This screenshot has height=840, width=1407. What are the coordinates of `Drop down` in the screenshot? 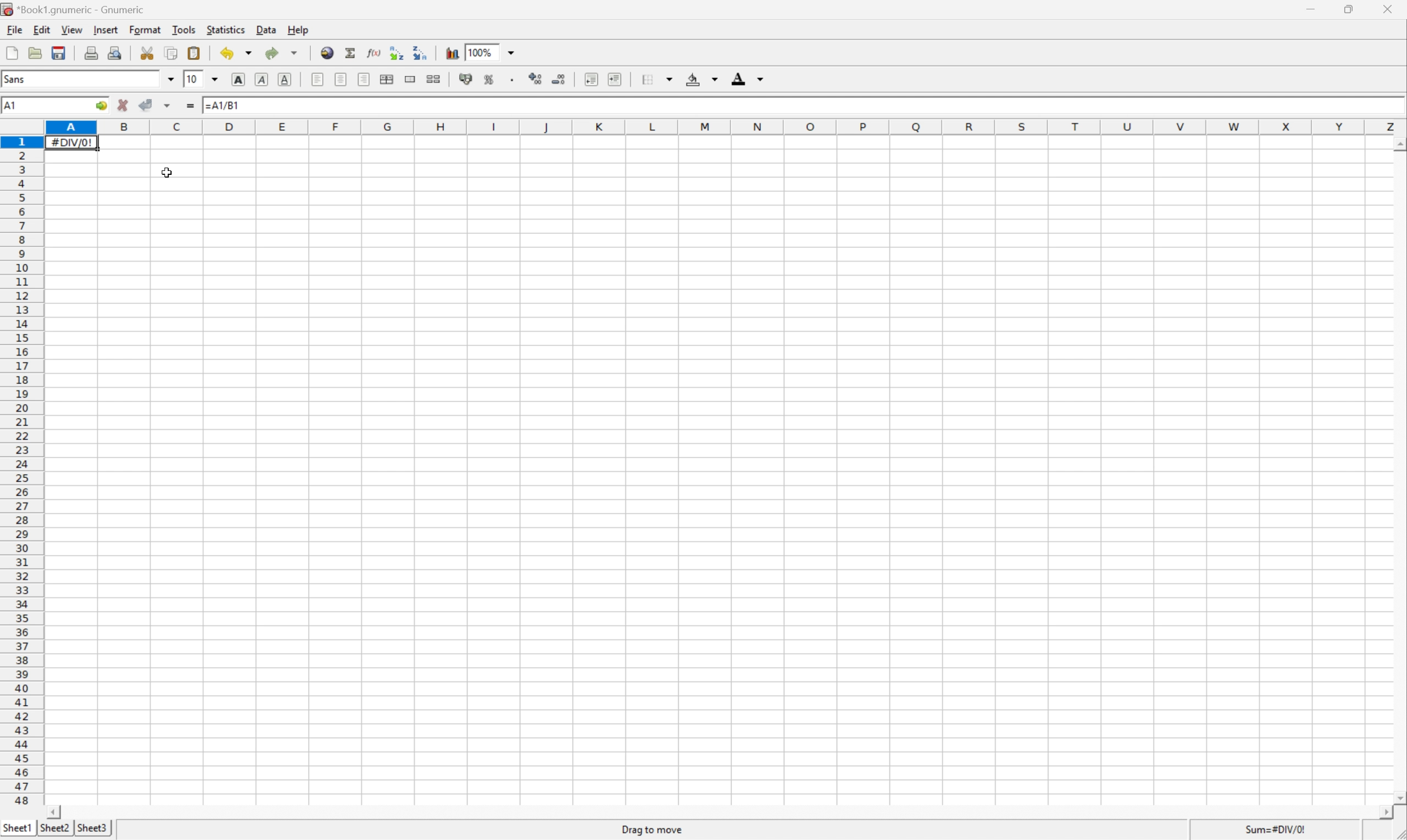 It's located at (716, 80).